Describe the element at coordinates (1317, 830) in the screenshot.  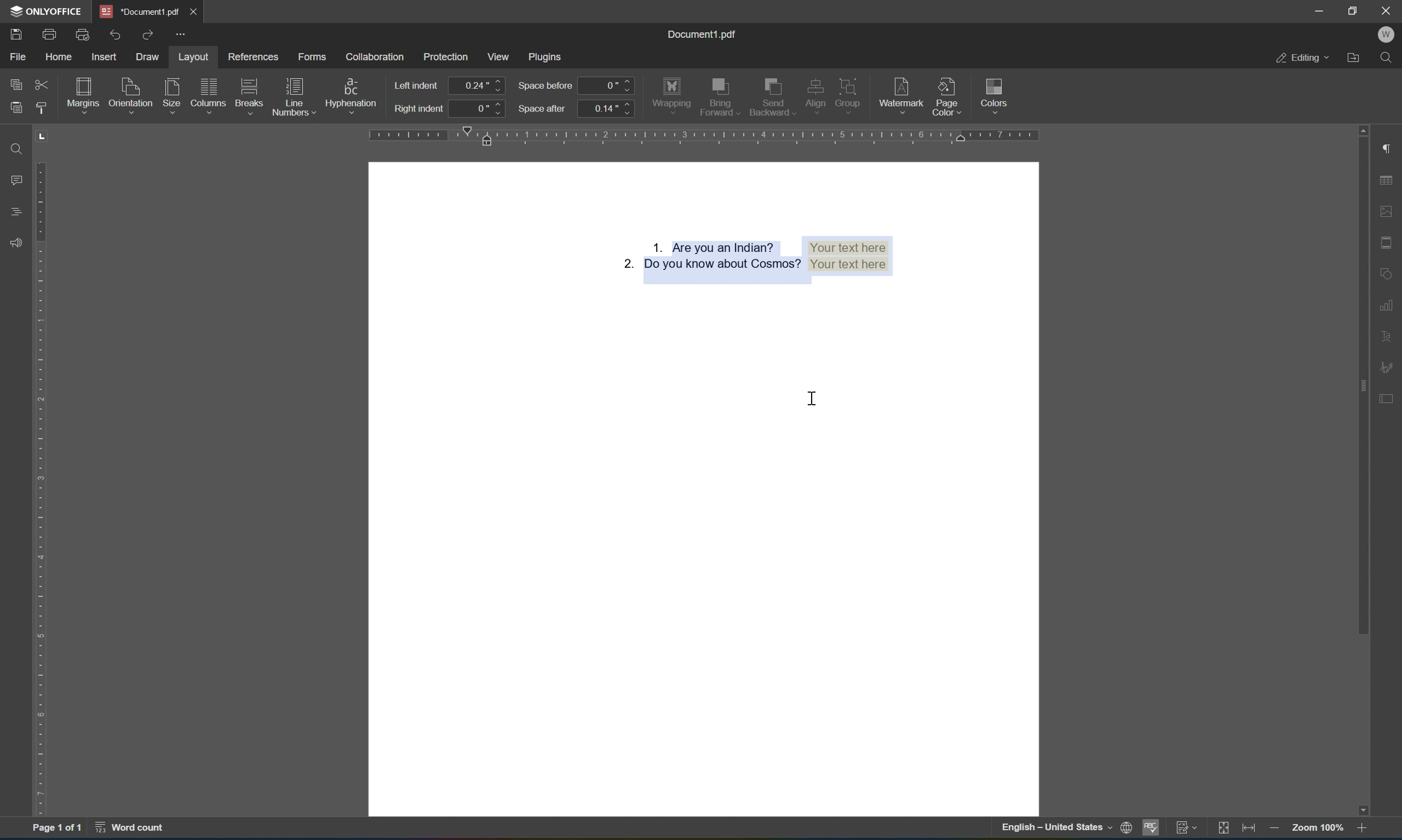
I see `zoom 100%` at that location.